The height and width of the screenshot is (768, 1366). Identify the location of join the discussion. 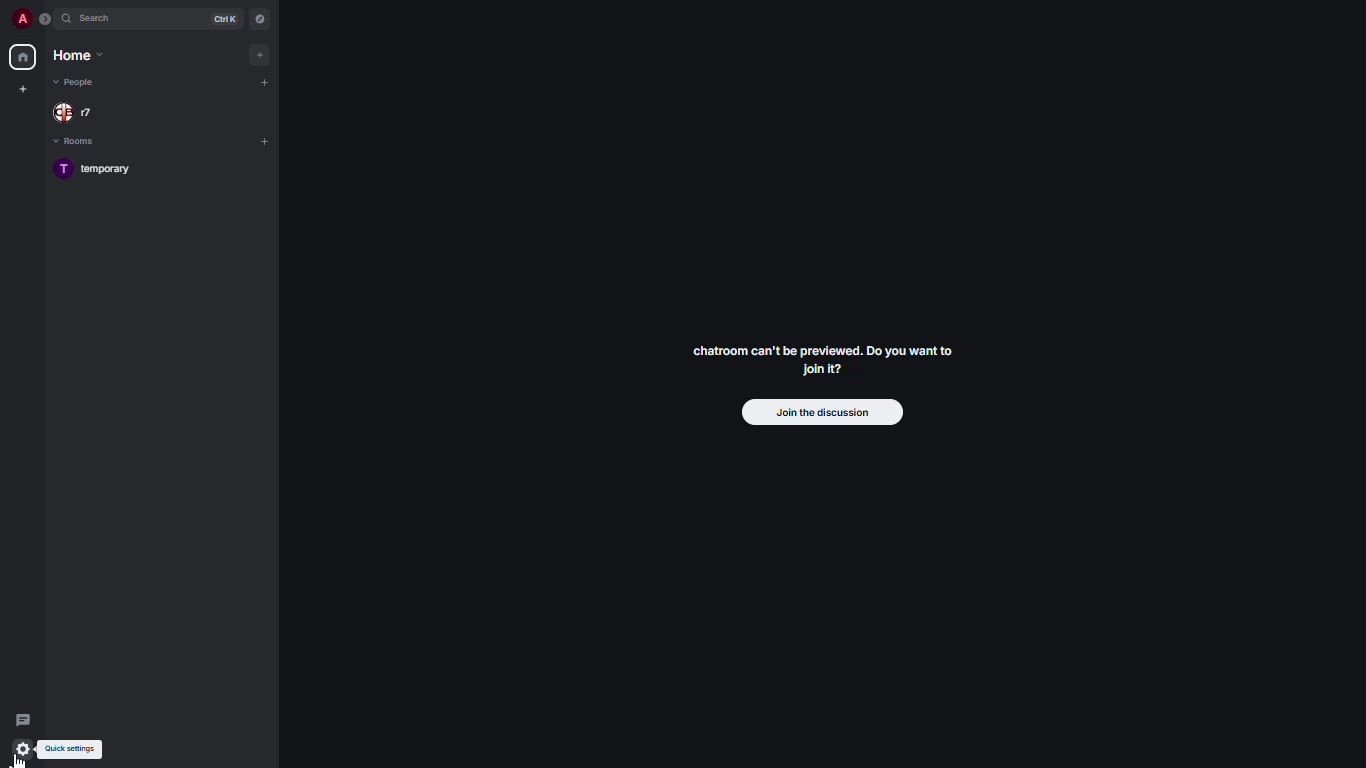
(822, 414).